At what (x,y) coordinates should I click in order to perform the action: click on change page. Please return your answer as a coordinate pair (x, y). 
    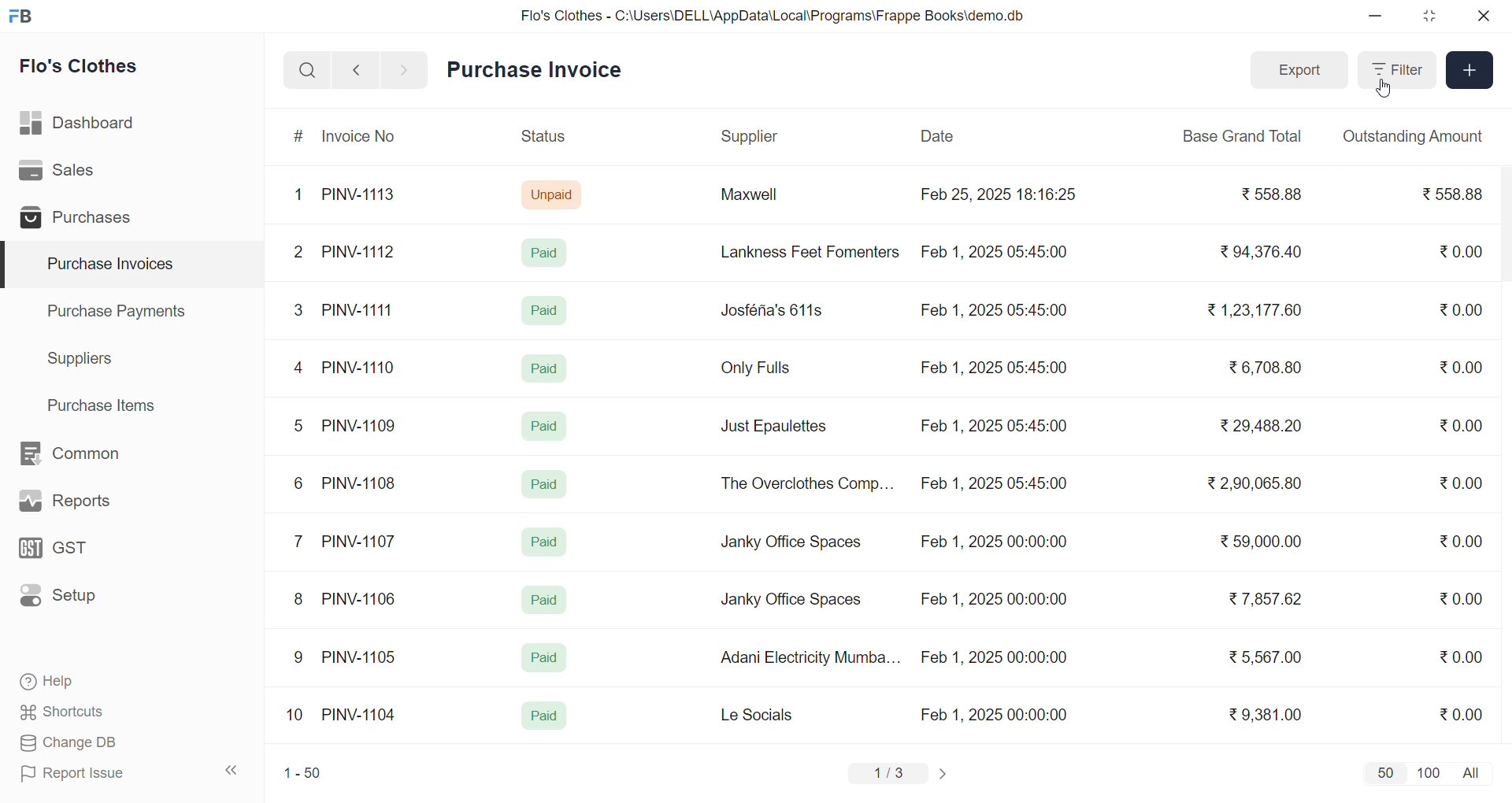
    Looking at the image, I should click on (945, 773).